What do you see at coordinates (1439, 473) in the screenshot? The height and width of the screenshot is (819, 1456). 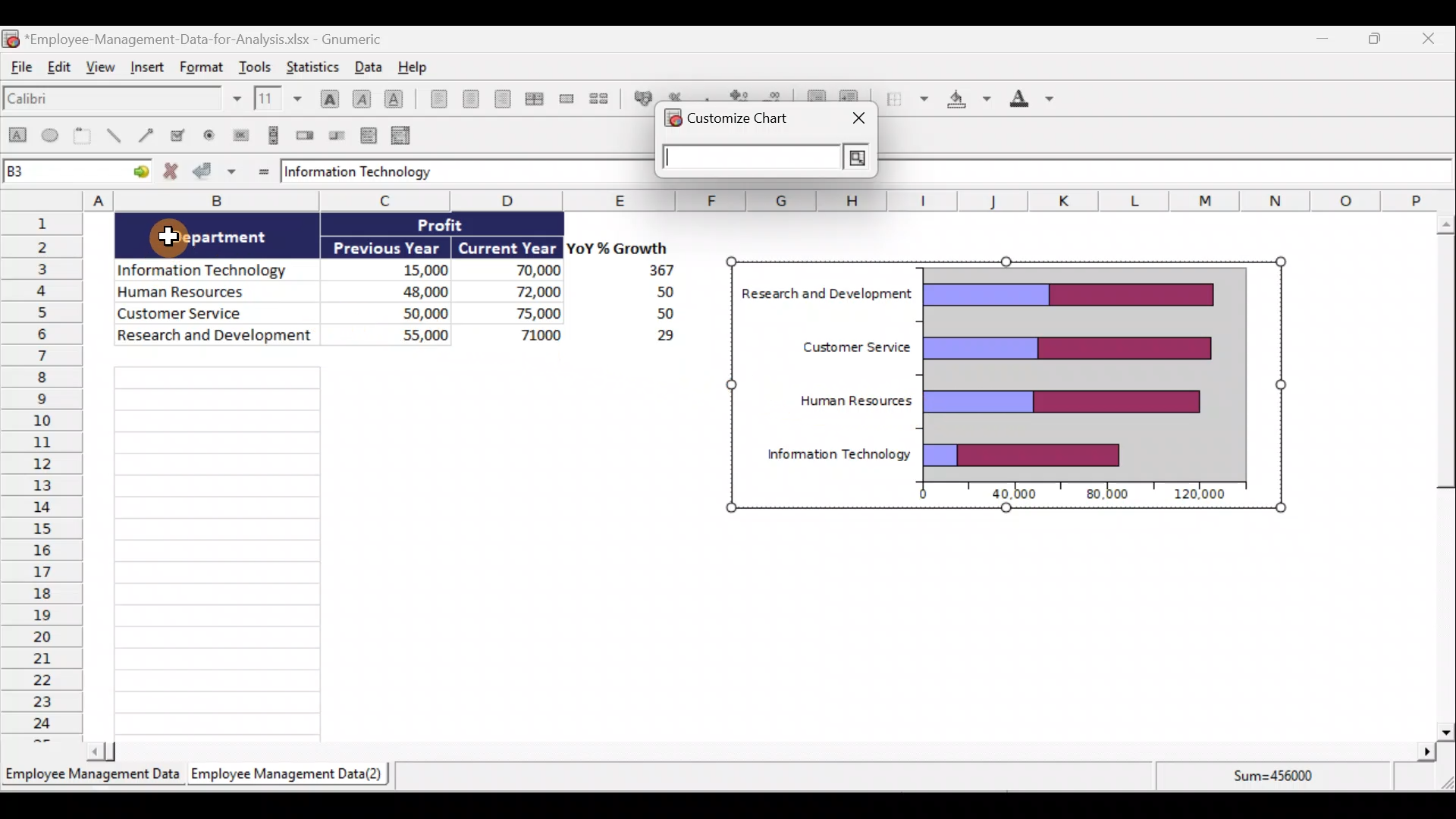 I see `Scroll bar` at bounding box center [1439, 473].